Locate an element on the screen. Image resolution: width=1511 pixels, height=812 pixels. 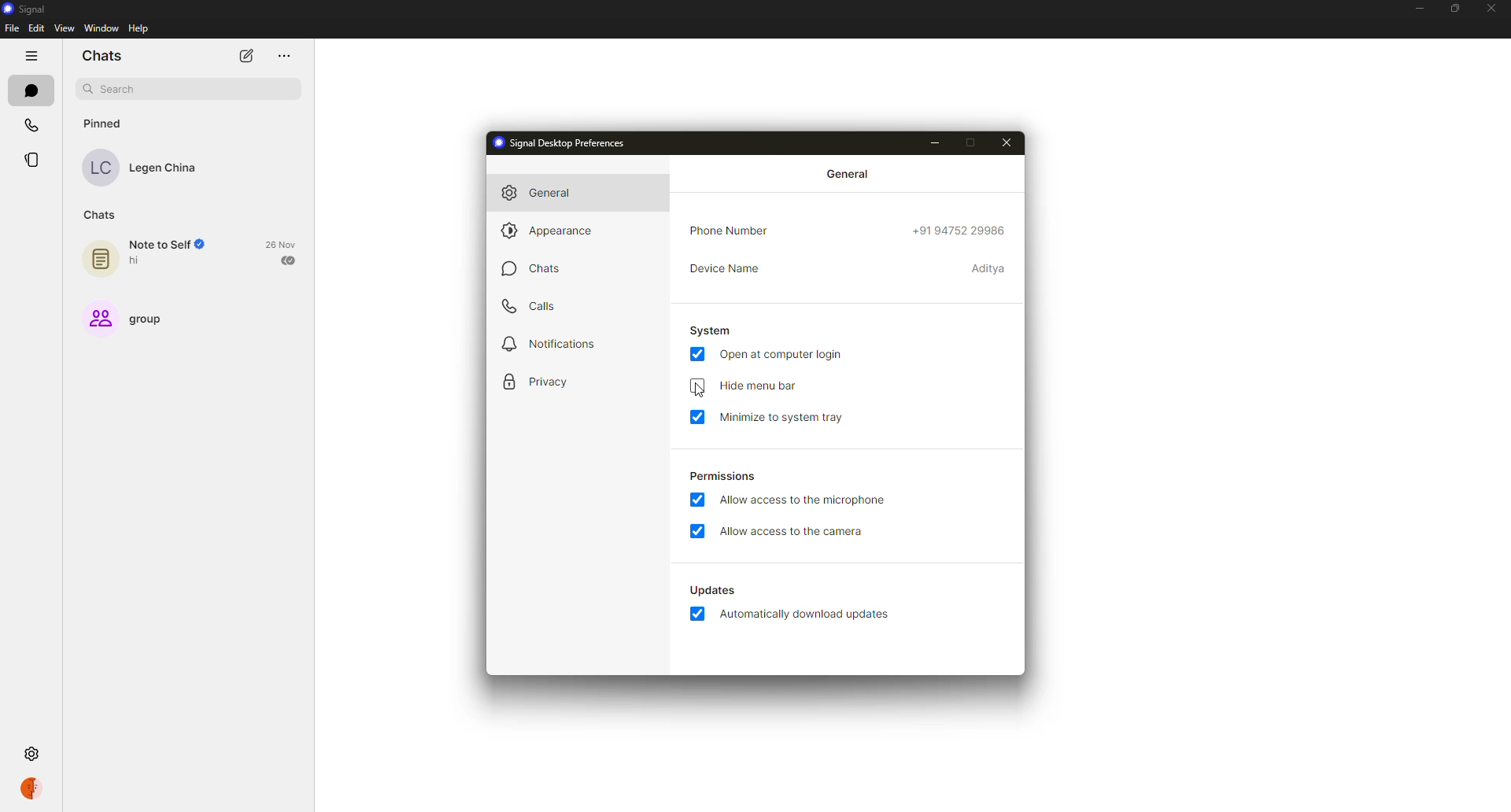
hide menu bar is located at coordinates (757, 386).